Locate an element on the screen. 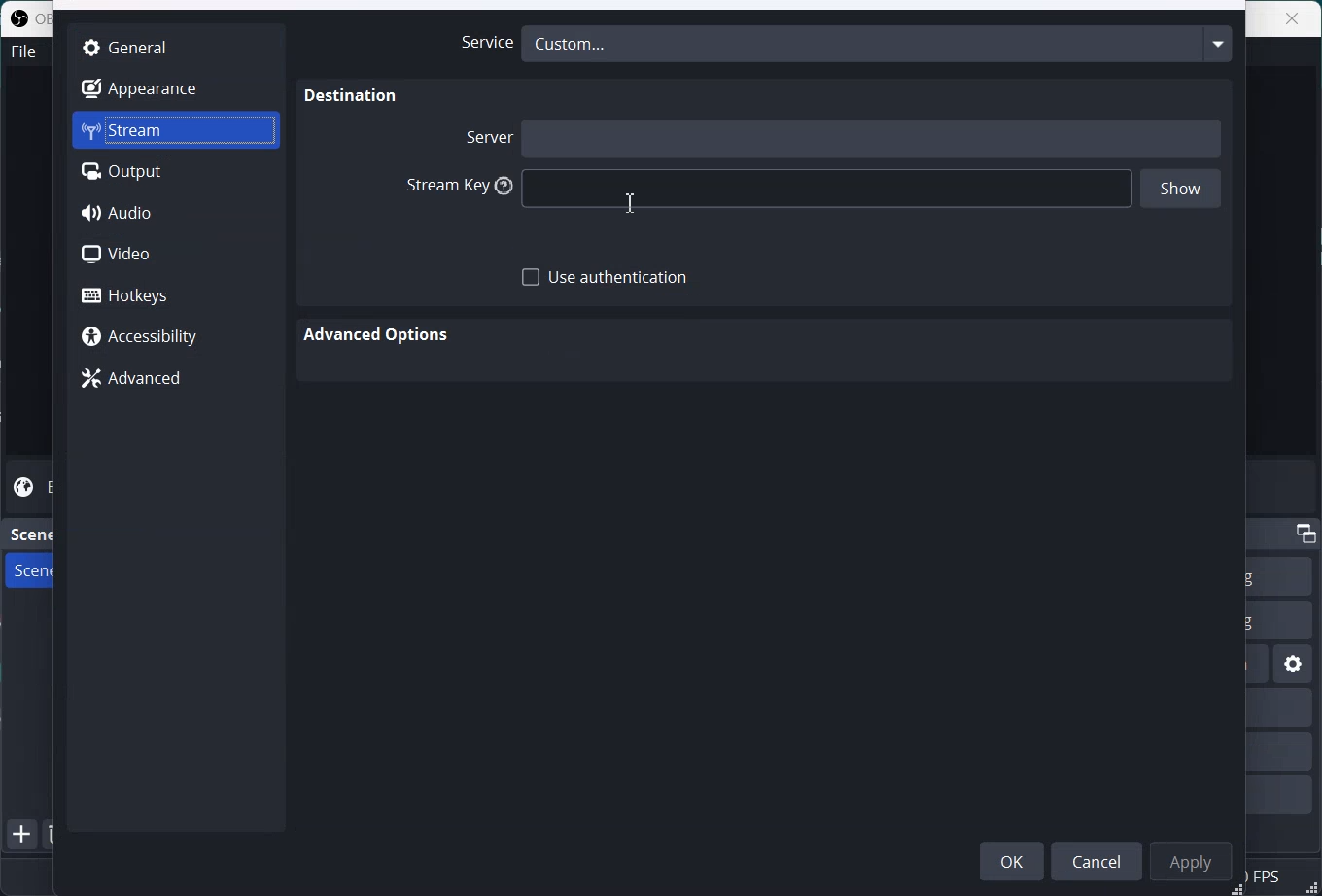 The image size is (1322, 896). Stream is located at coordinates (176, 130).